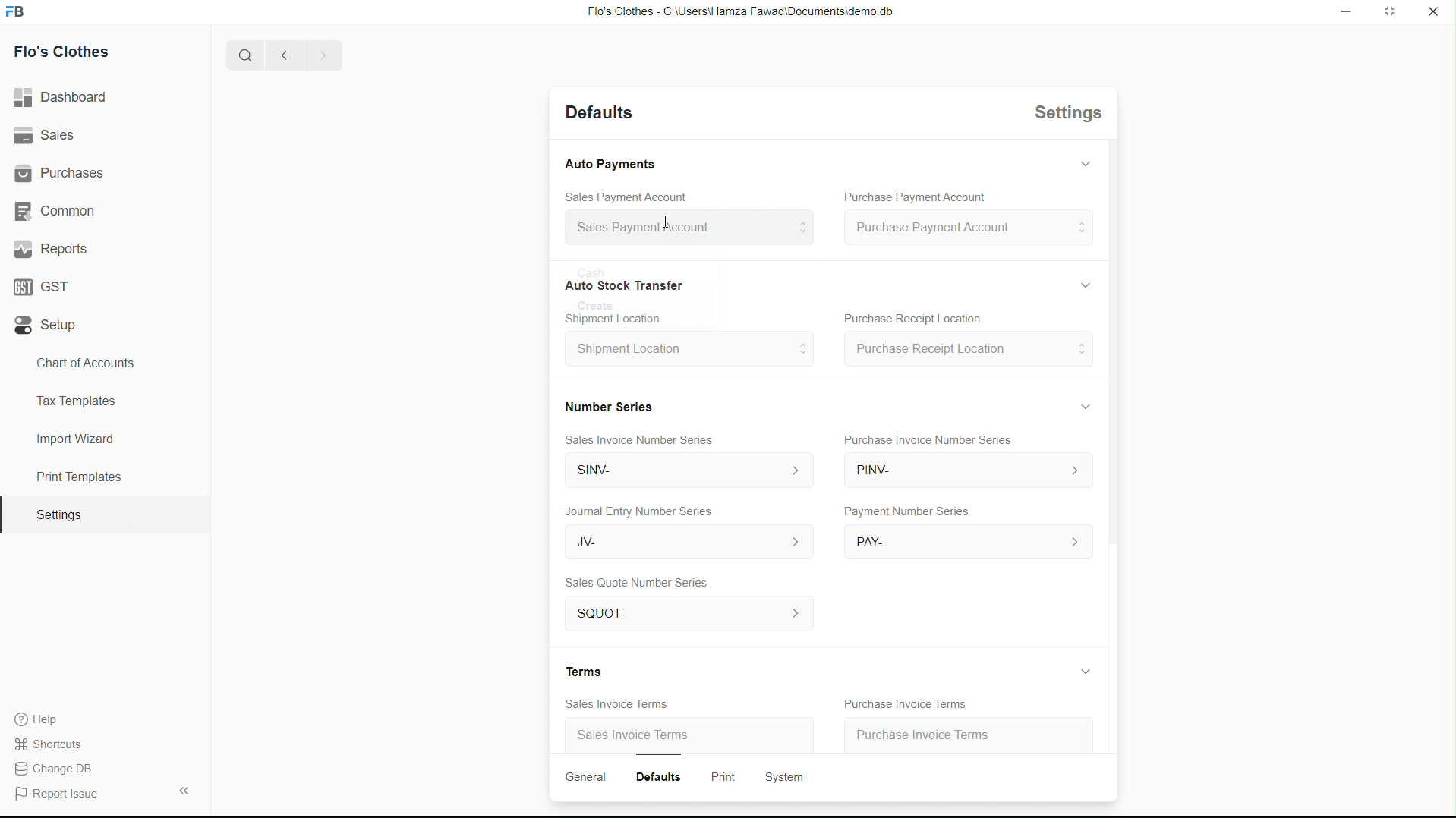  Describe the element at coordinates (632, 736) in the screenshot. I see `Sales Invoice Terms` at that location.